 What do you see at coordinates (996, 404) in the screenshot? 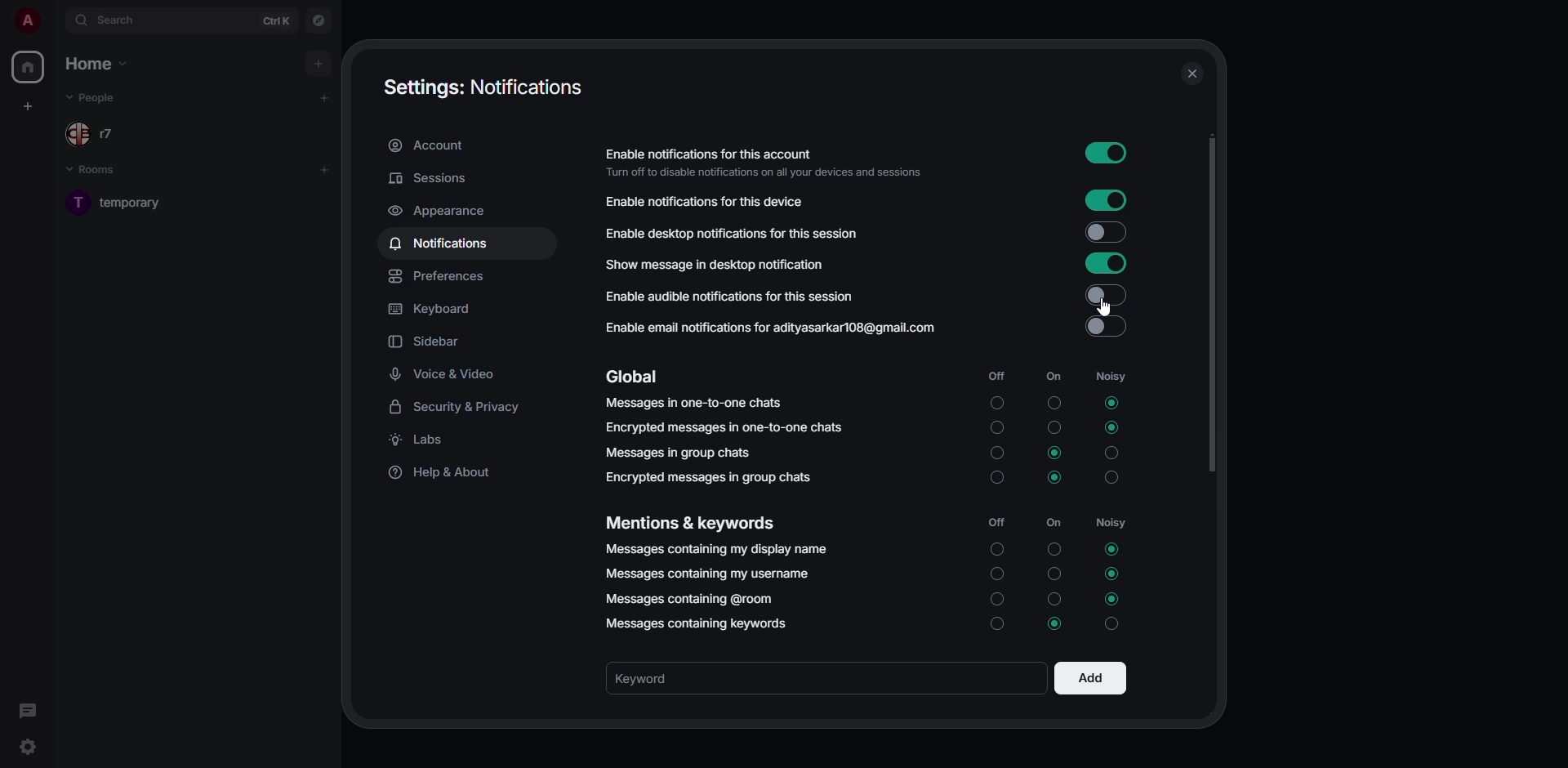
I see `off` at bounding box center [996, 404].